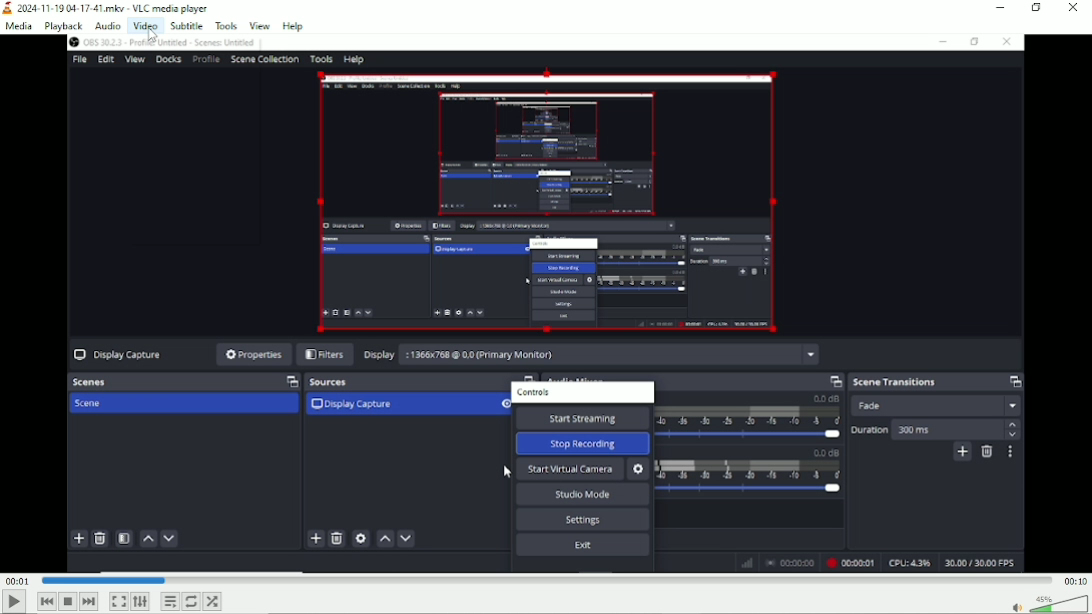  What do you see at coordinates (17, 580) in the screenshot?
I see `Elapsed time` at bounding box center [17, 580].